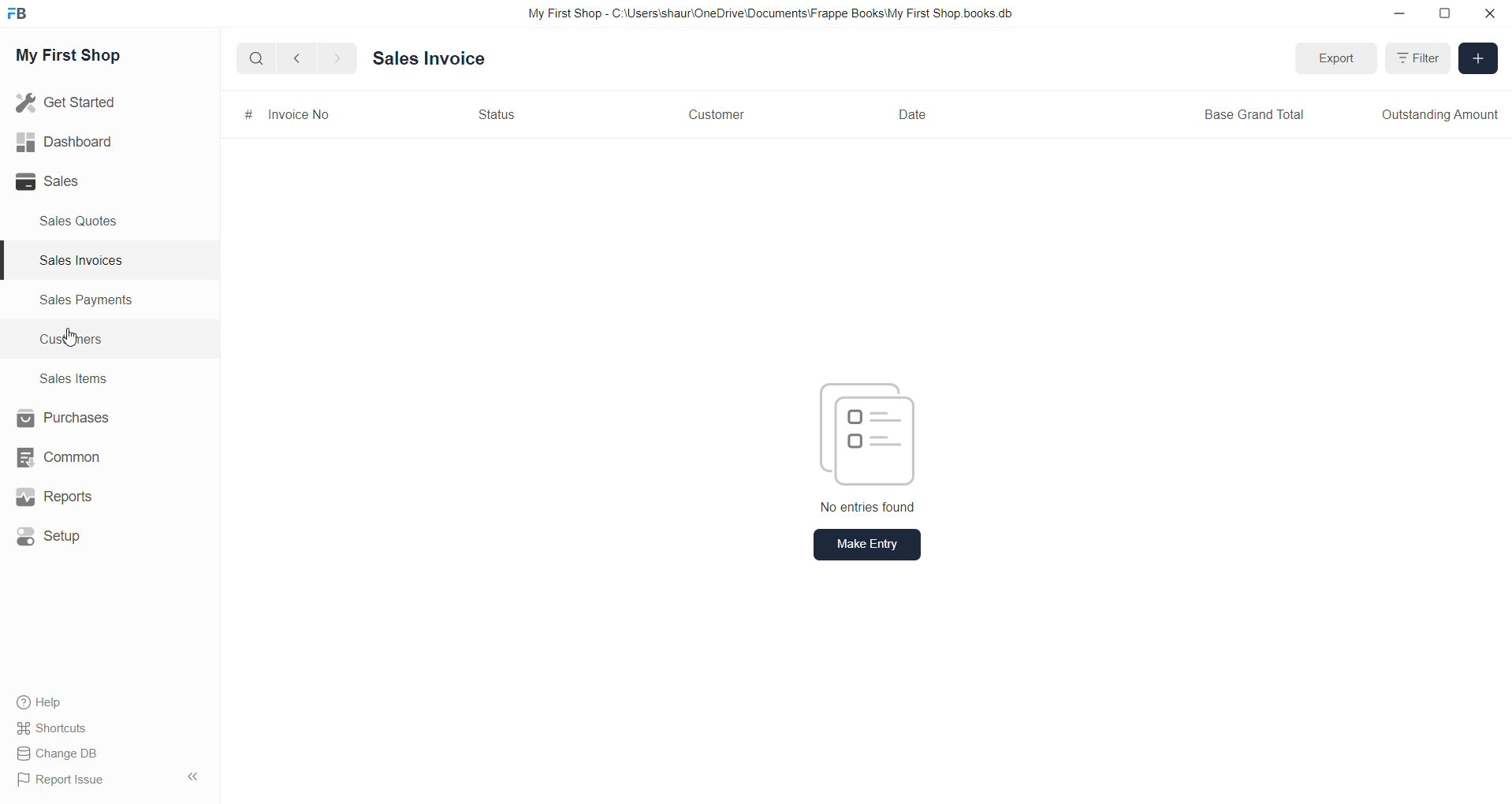 The image size is (1512, 804). Describe the element at coordinates (80, 262) in the screenshot. I see `sales invoices ` at that location.